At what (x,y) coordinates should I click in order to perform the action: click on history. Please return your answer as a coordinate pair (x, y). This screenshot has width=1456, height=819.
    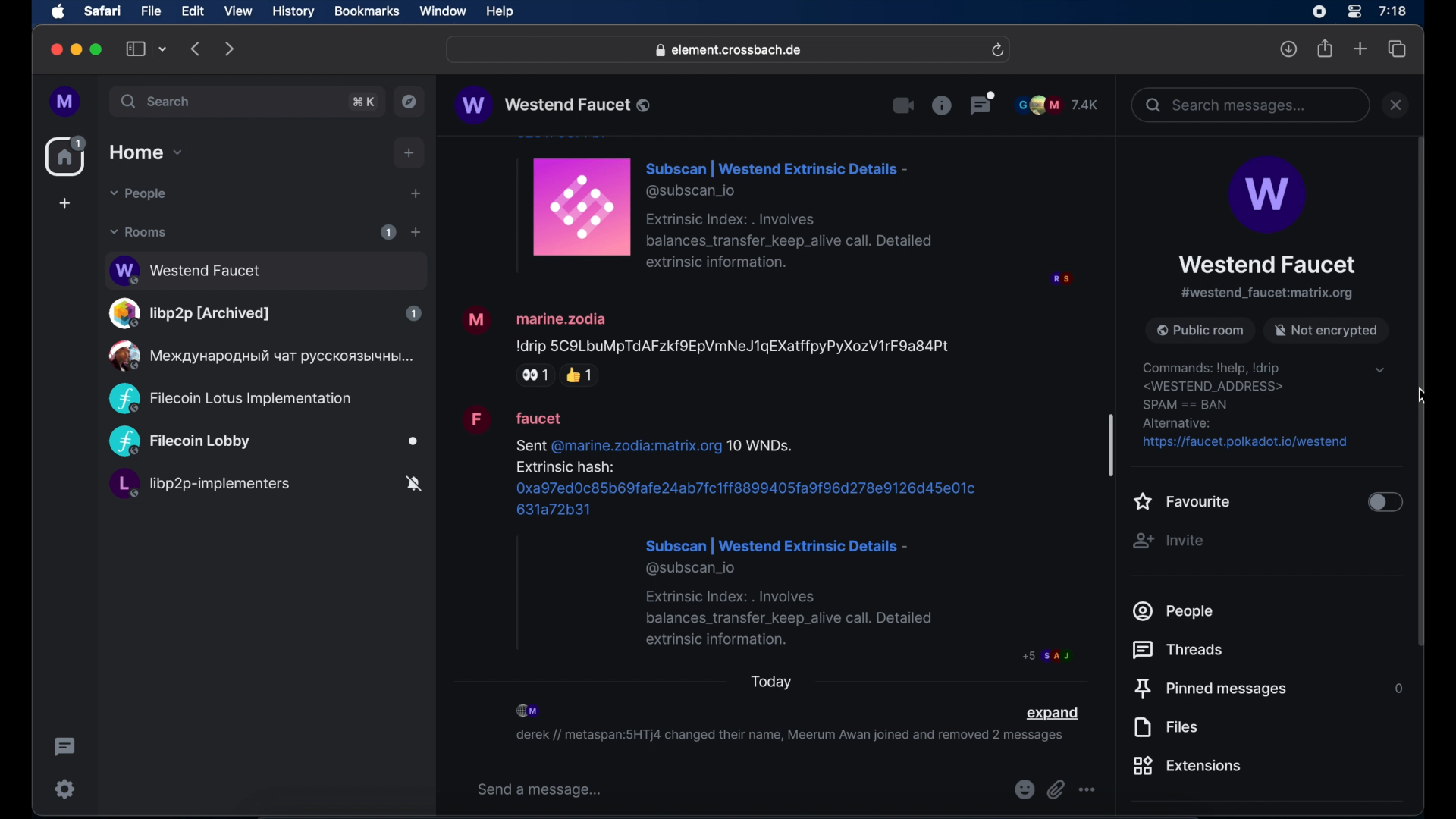
    Looking at the image, I should click on (293, 12).